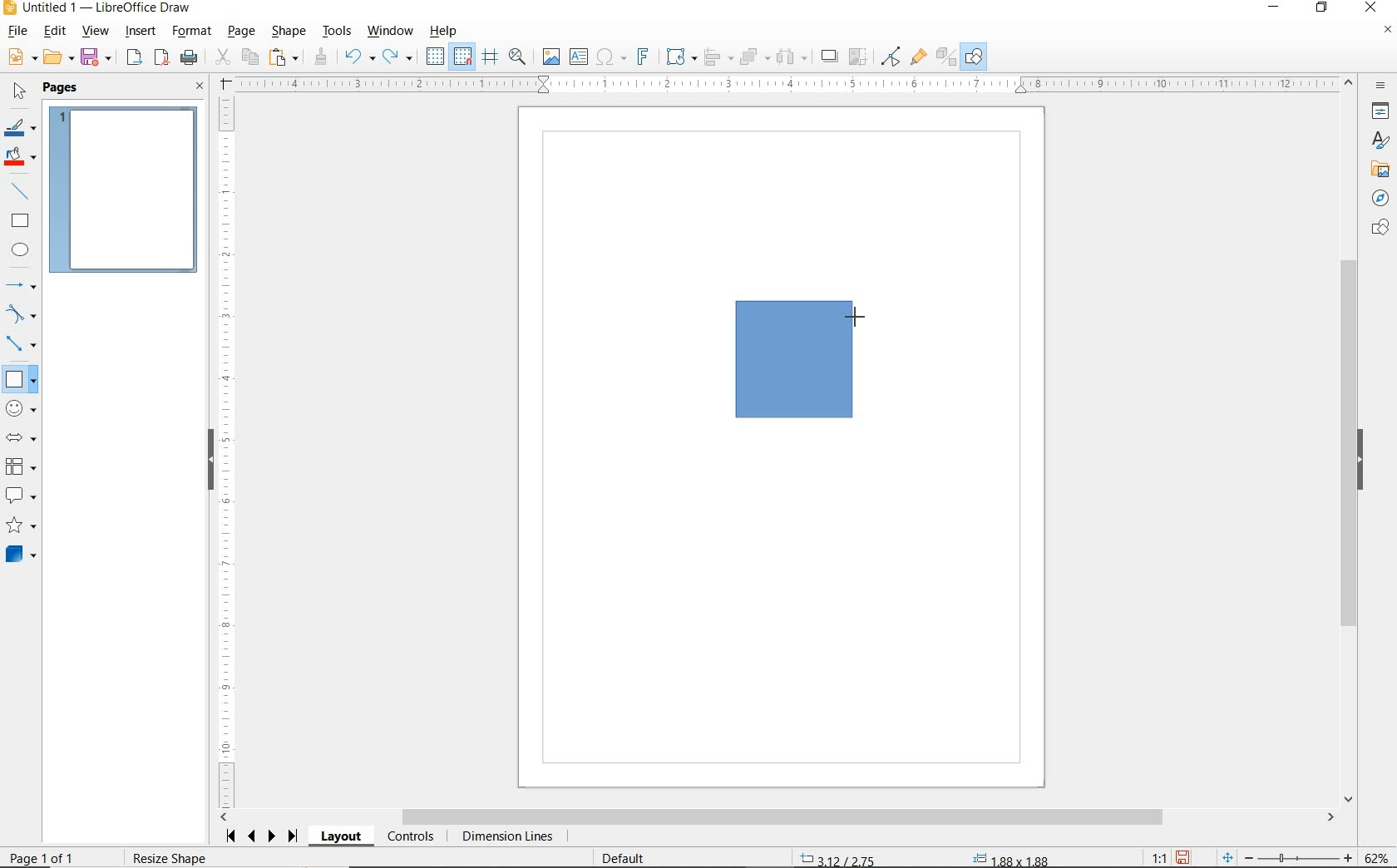 The image size is (1397, 868). I want to click on NAVIGATOR, so click(1380, 196).